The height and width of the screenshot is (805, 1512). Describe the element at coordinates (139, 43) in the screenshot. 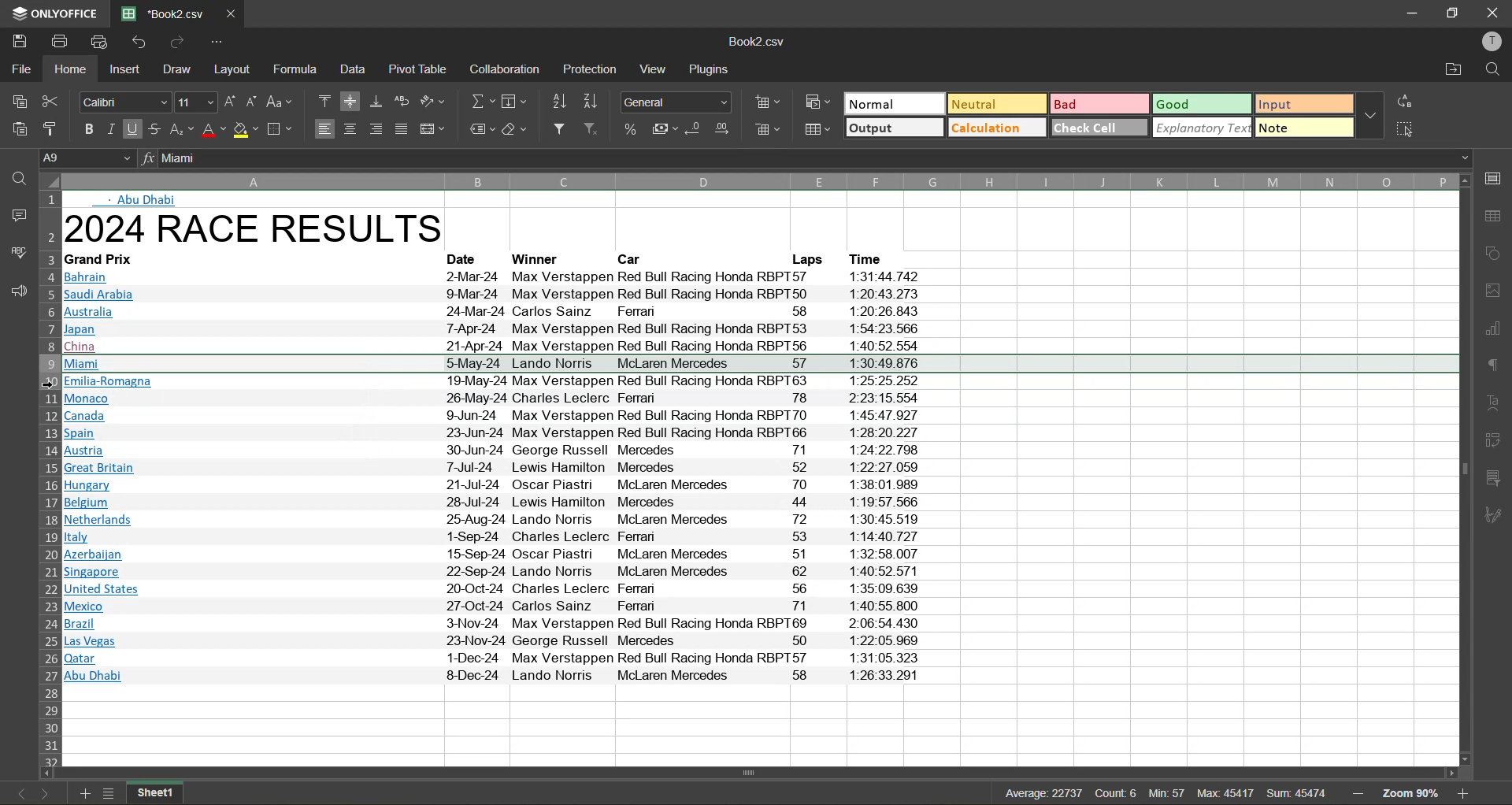

I see `undo` at that location.